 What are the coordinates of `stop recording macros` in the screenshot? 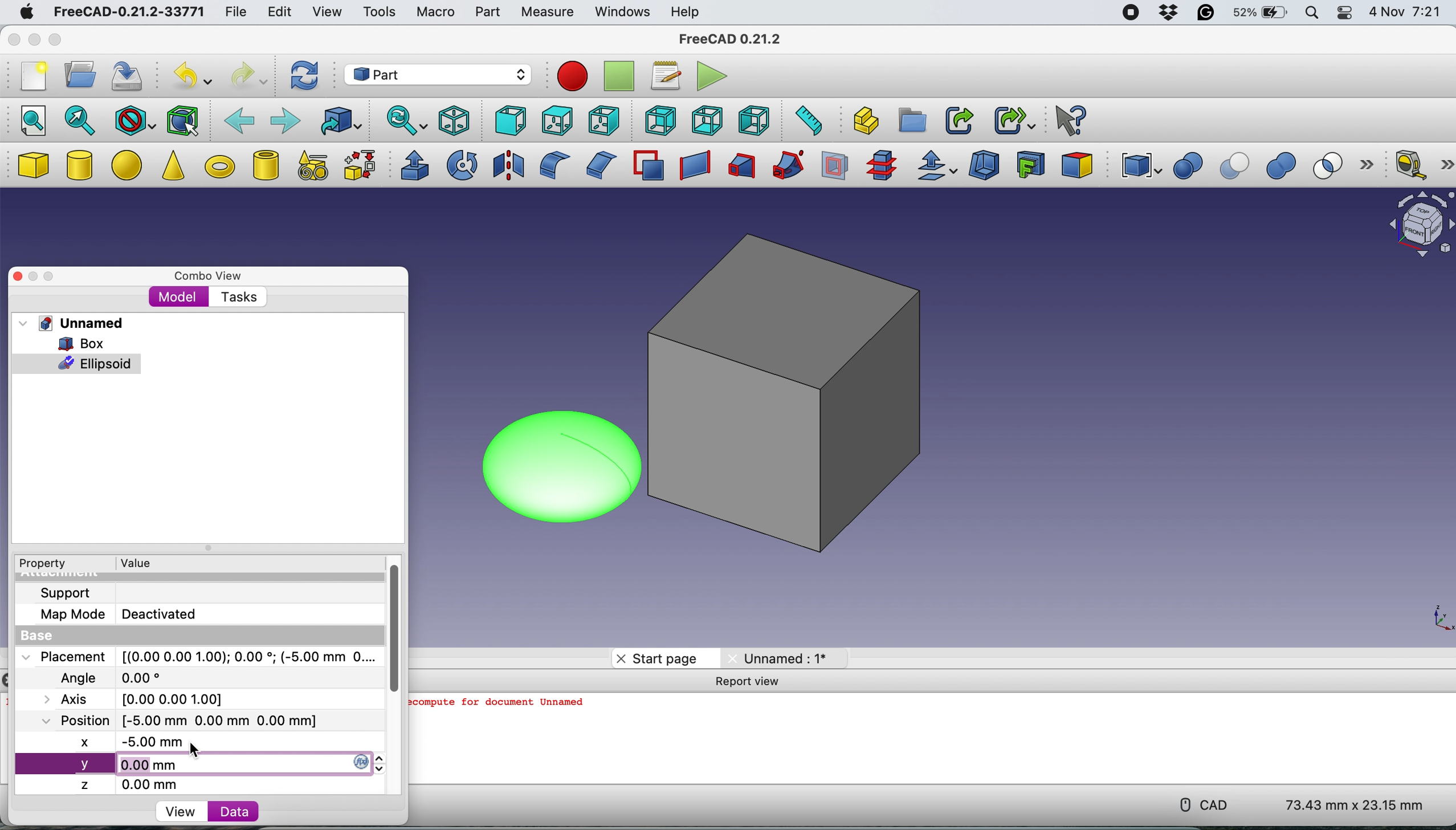 It's located at (621, 77).